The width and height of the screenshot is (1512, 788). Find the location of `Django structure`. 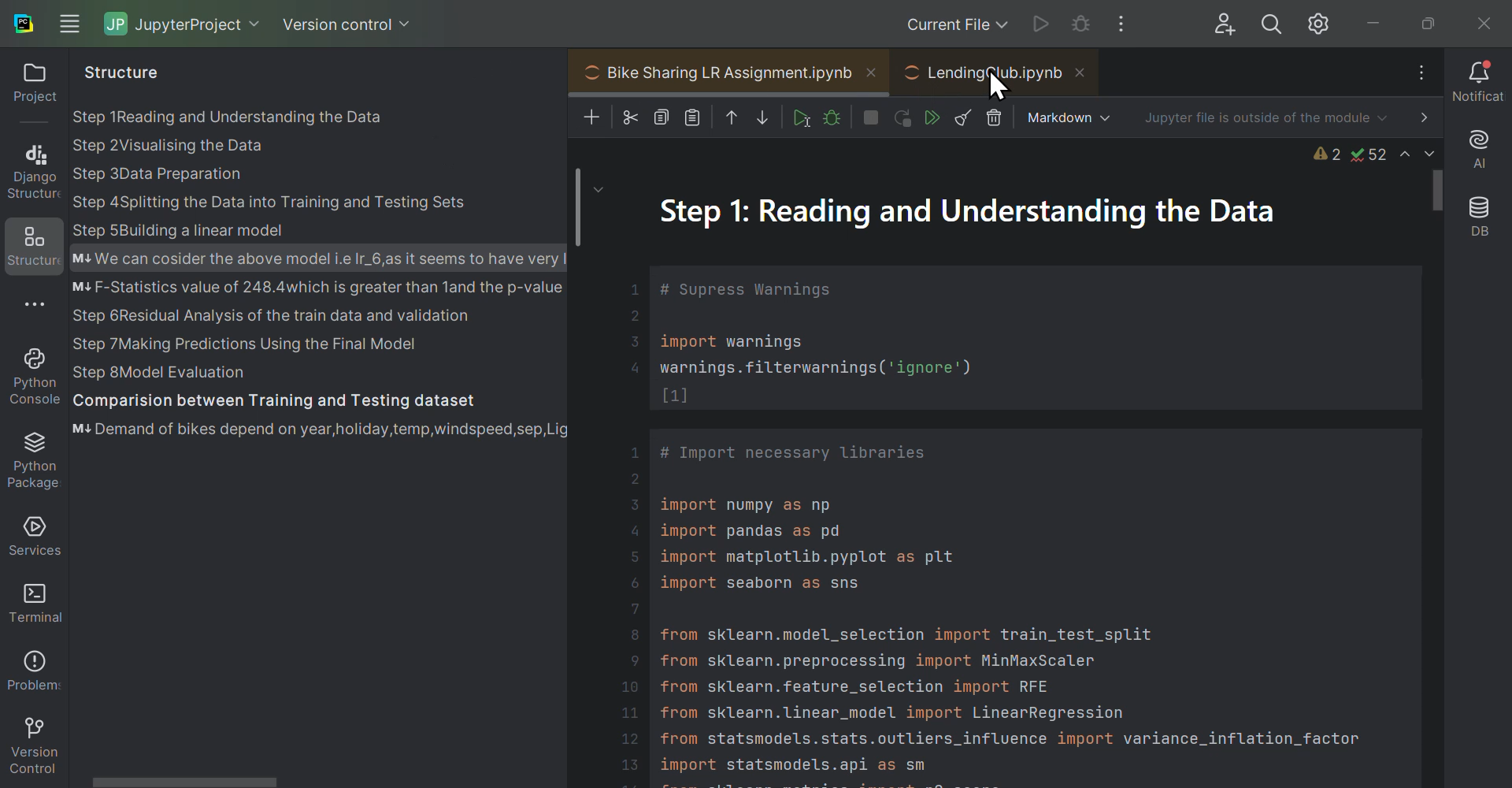

Django structure is located at coordinates (32, 169).